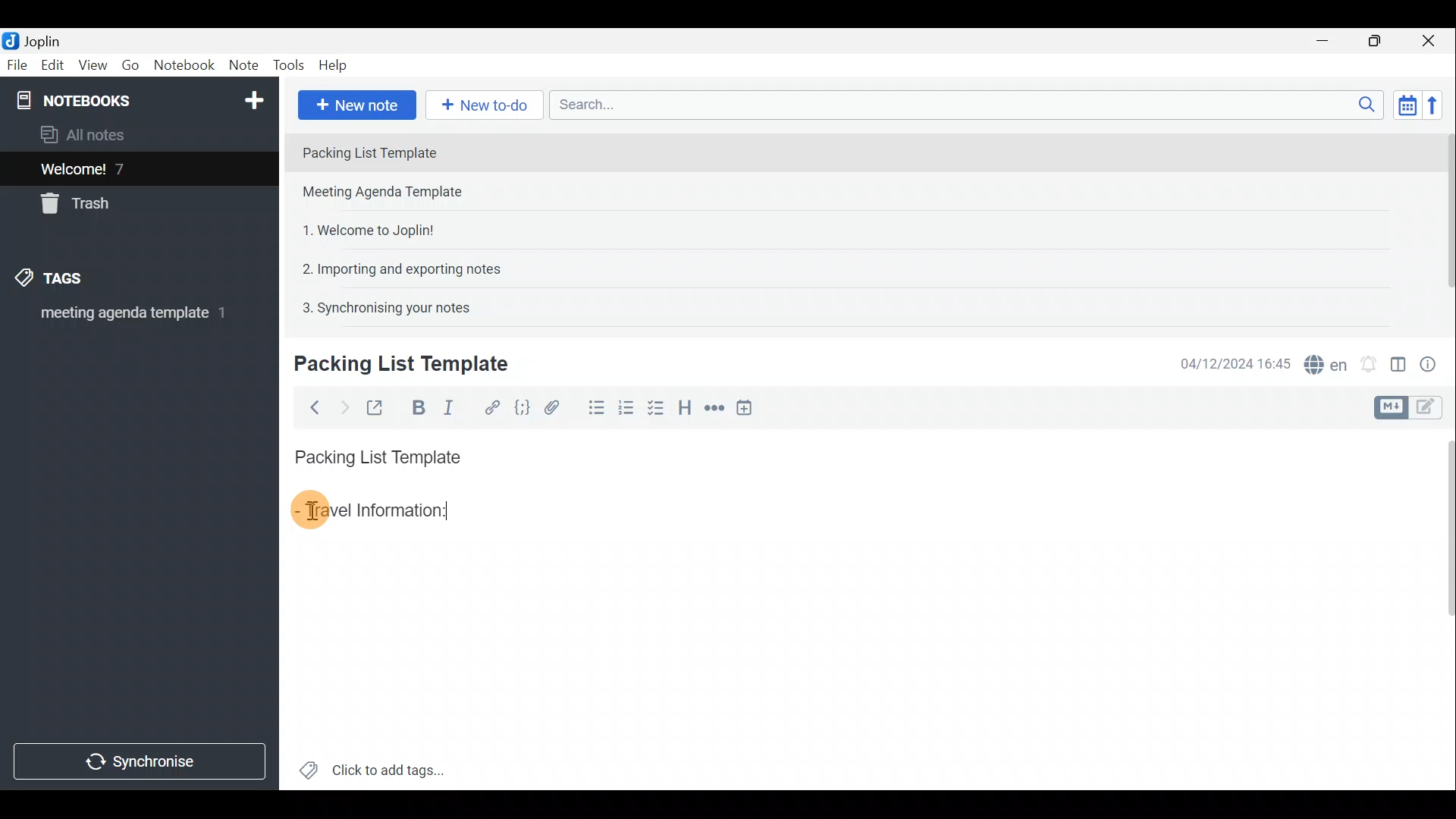 The height and width of the screenshot is (819, 1456). What do you see at coordinates (380, 306) in the screenshot?
I see `Note 5` at bounding box center [380, 306].